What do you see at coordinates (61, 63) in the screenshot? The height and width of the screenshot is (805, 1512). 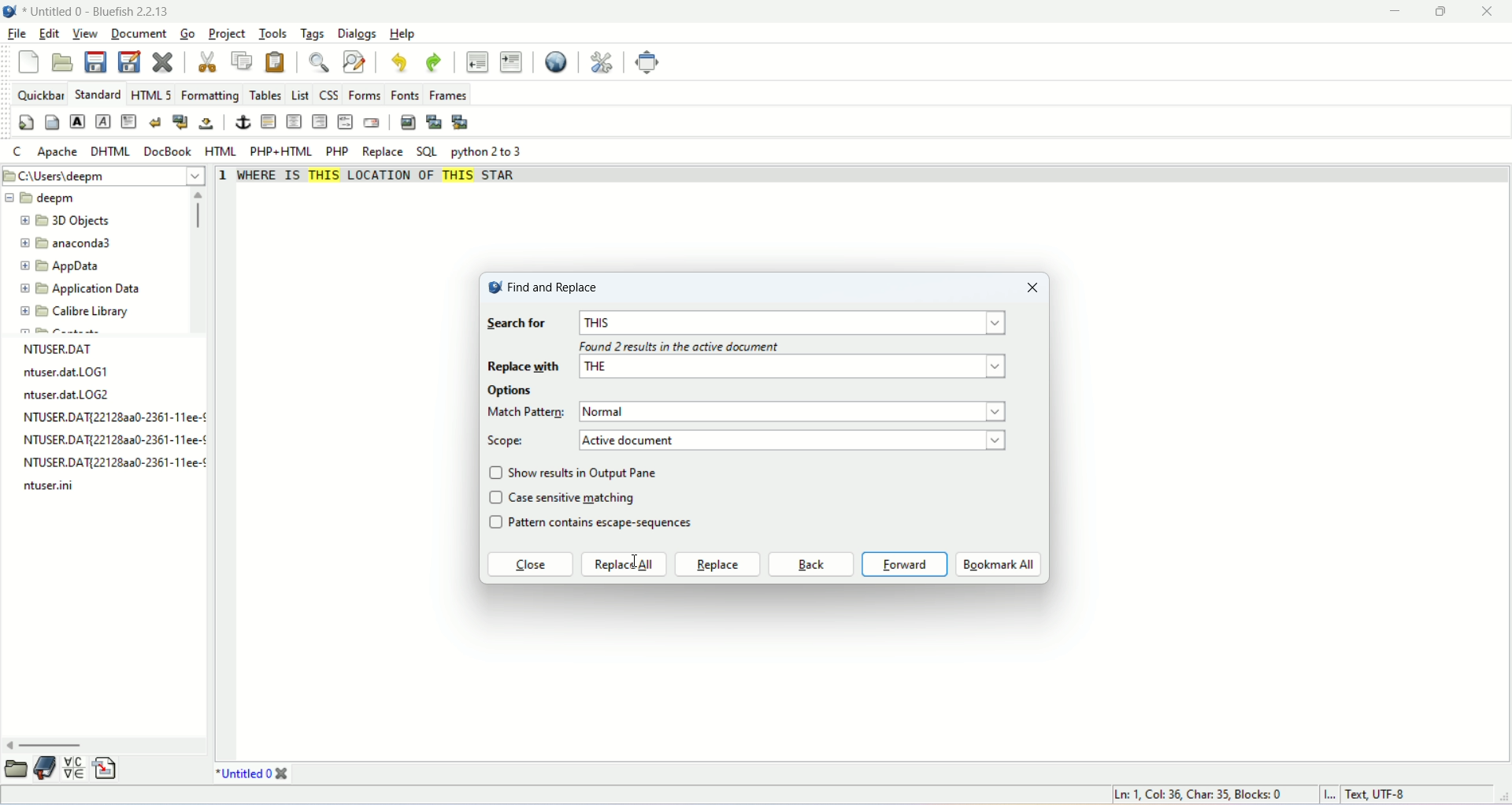 I see `open file` at bounding box center [61, 63].